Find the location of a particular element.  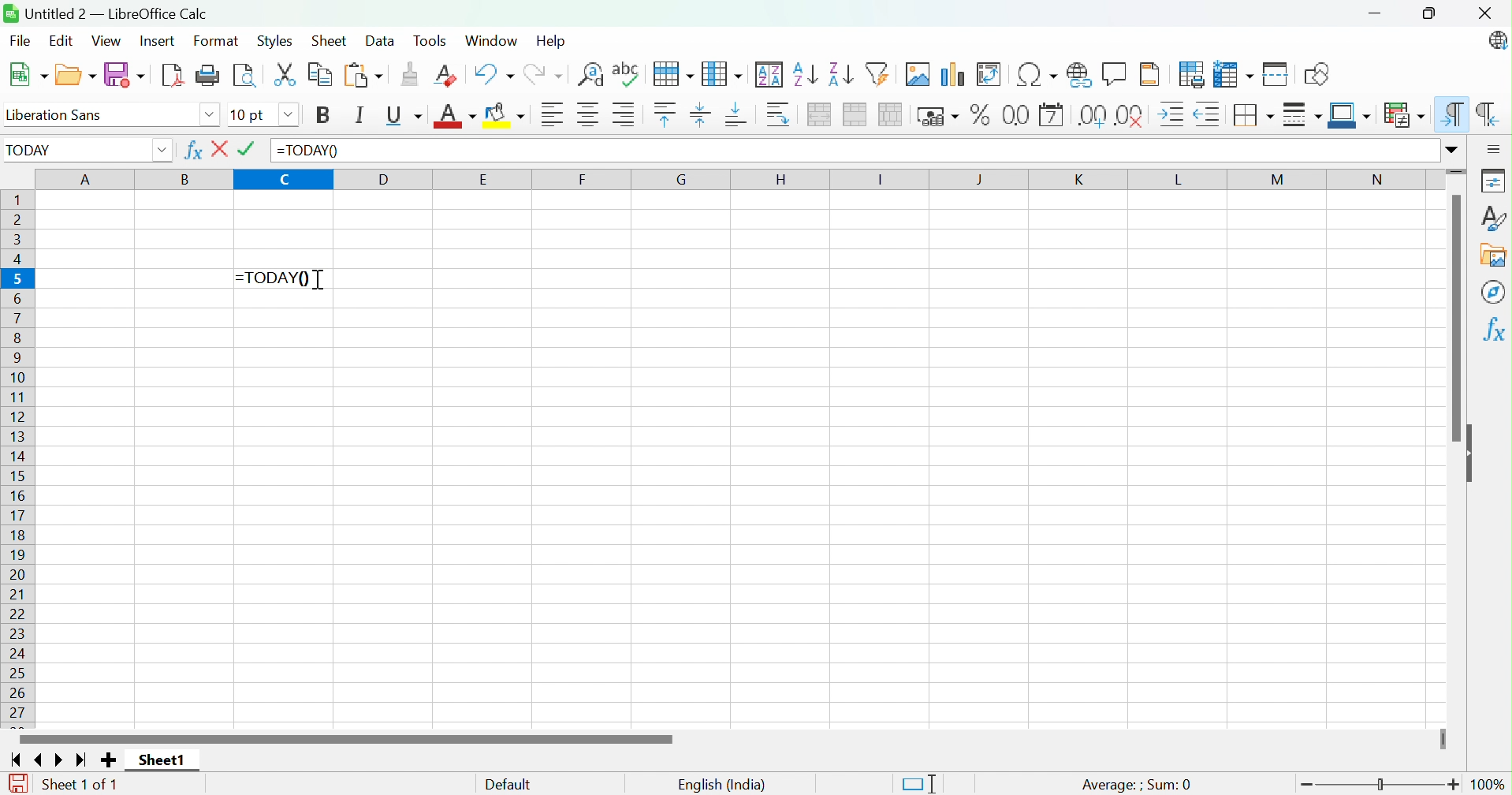

English (India) is located at coordinates (722, 786).